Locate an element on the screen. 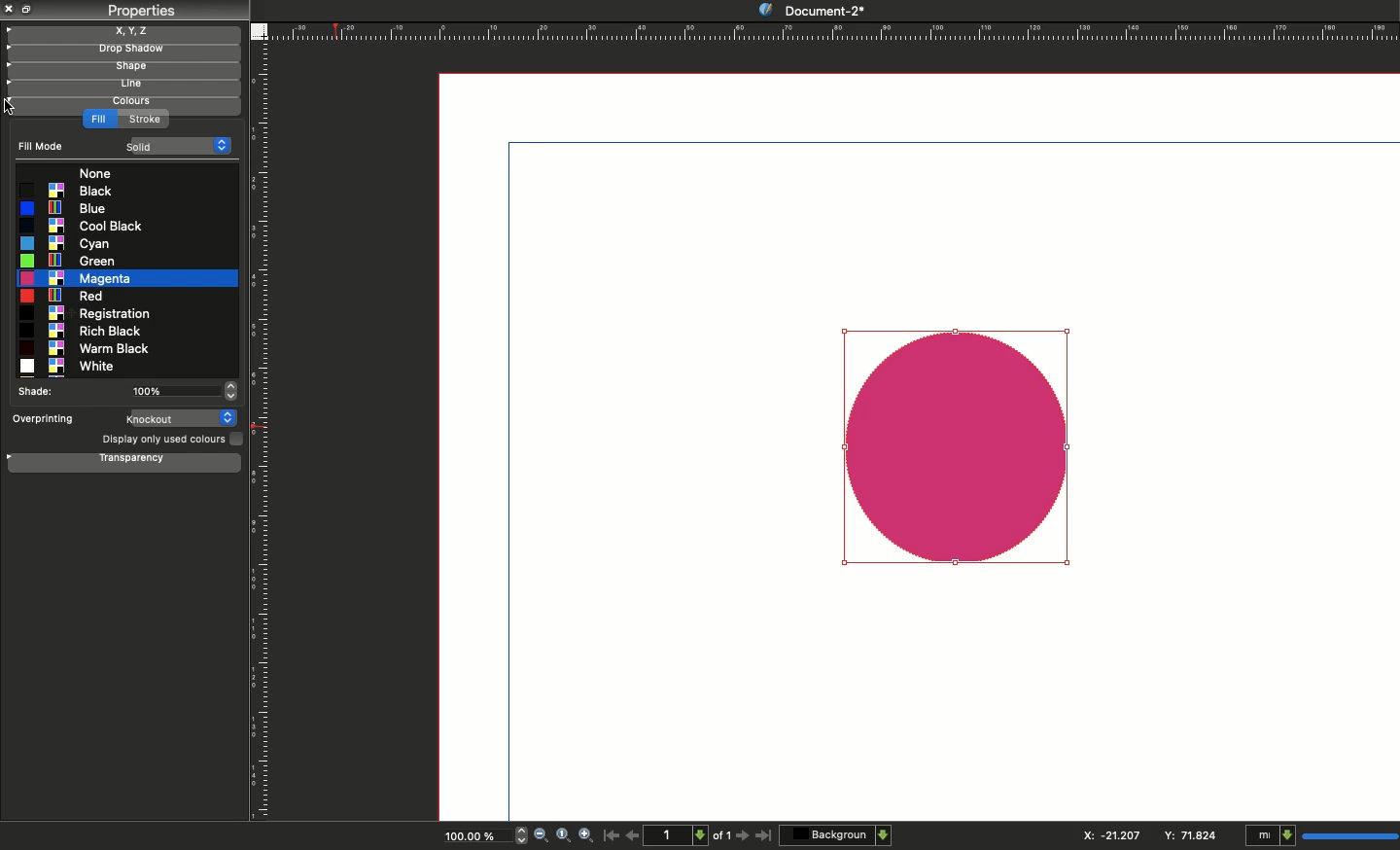 The width and height of the screenshot is (1400, 850). Strok is located at coordinates (142, 122).